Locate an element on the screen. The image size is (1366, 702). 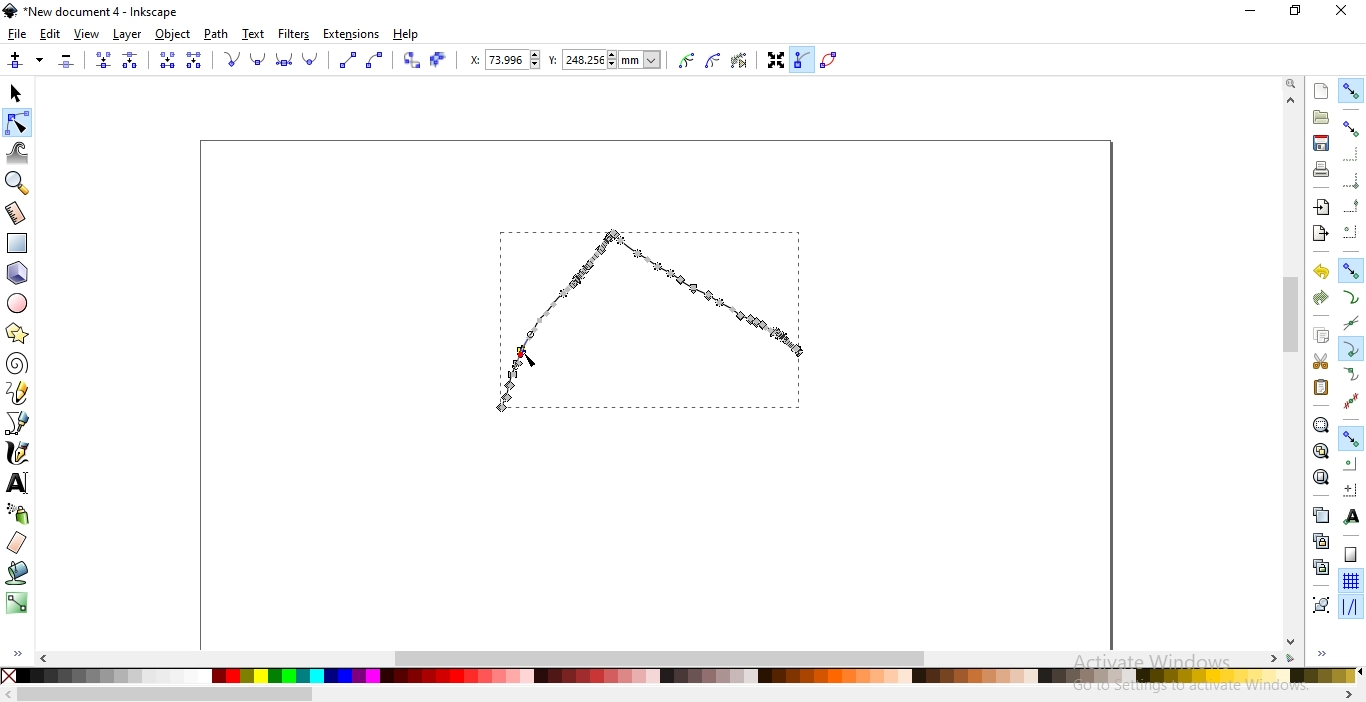
create circles, arcs, and ellipses is located at coordinates (18, 303).